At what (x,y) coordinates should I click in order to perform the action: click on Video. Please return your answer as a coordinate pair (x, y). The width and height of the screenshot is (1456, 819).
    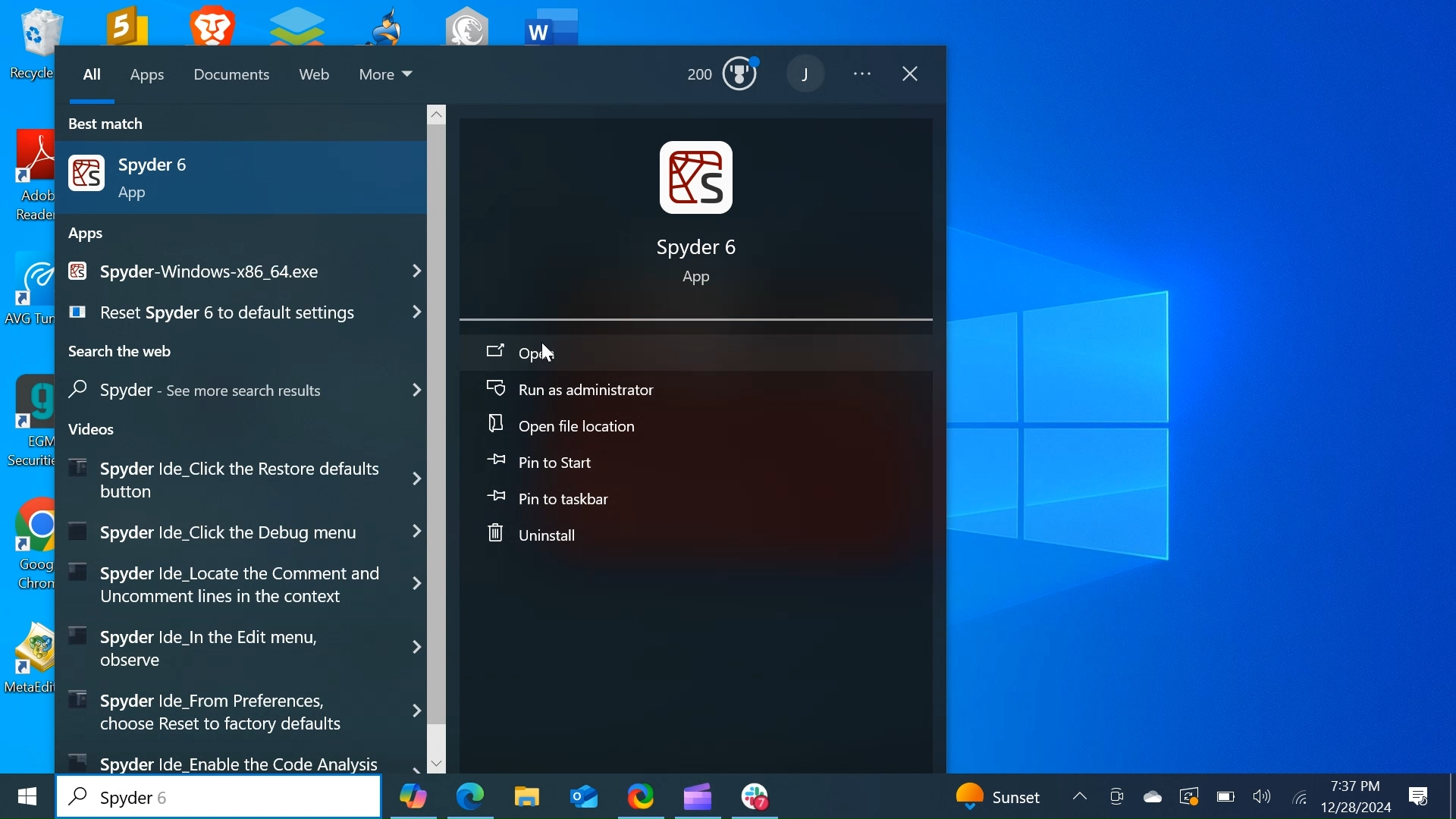
    Looking at the image, I should click on (239, 532).